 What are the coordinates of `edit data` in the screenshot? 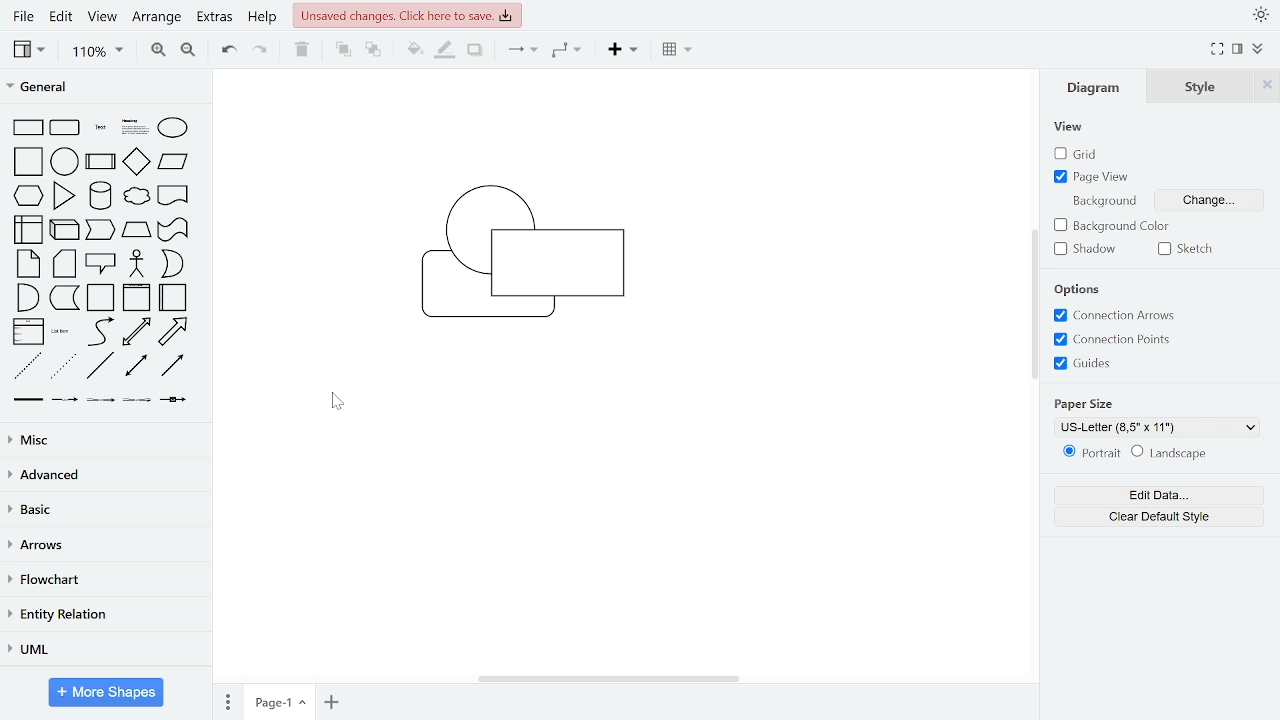 It's located at (1154, 496).